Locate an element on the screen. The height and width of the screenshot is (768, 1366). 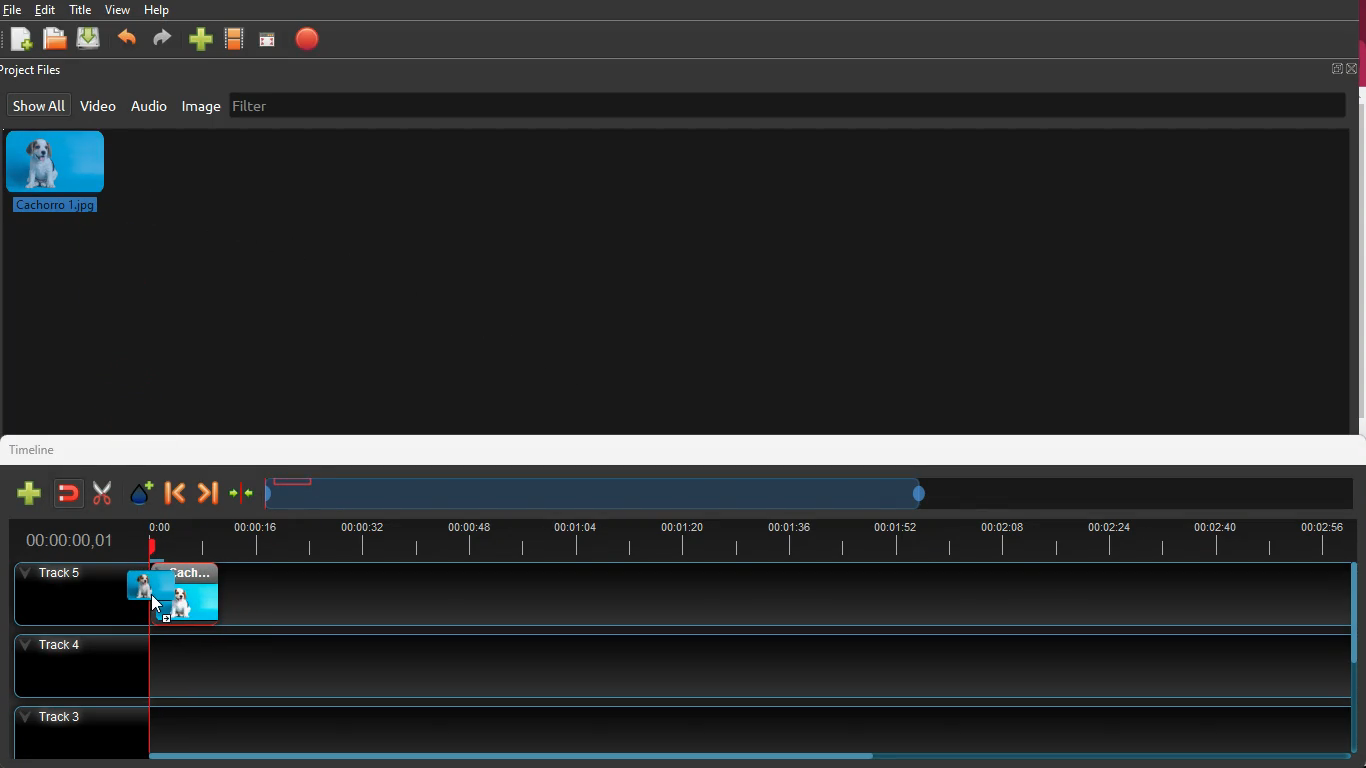
forward is located at coordinates (207, 494).